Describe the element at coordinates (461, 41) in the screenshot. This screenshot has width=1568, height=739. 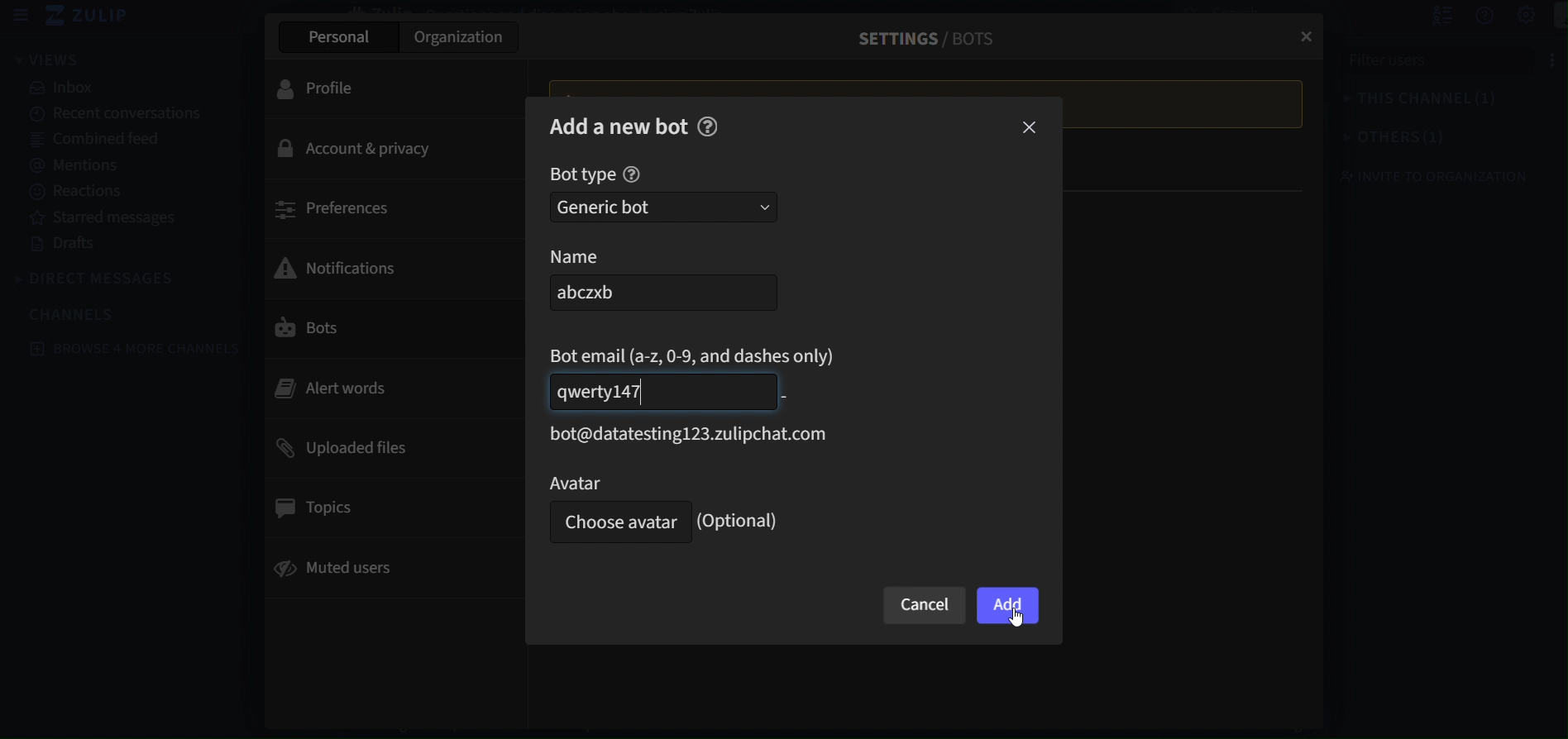
I see `organization` at that location.